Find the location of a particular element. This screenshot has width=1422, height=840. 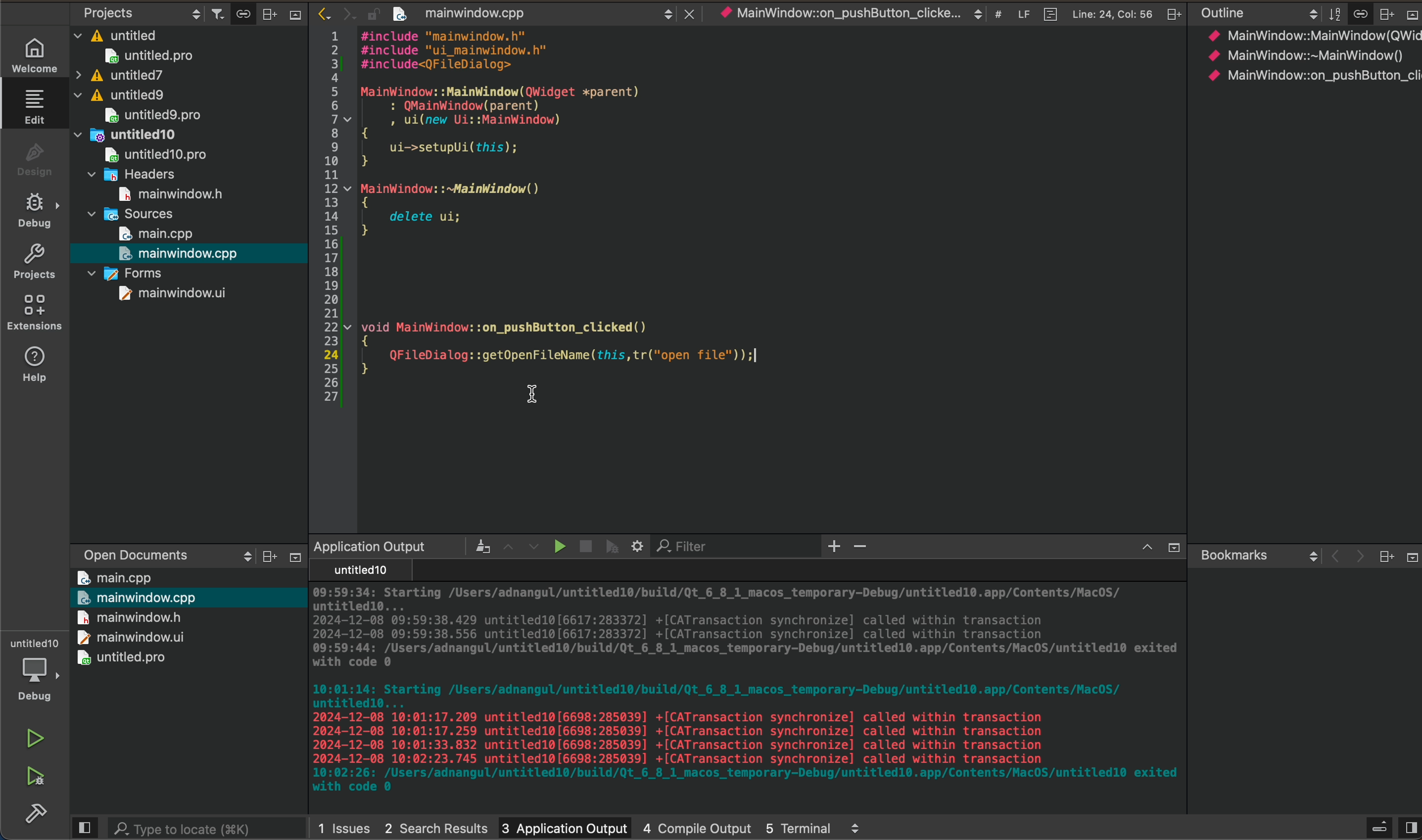

Scroll is located at coordinates (976, 14).